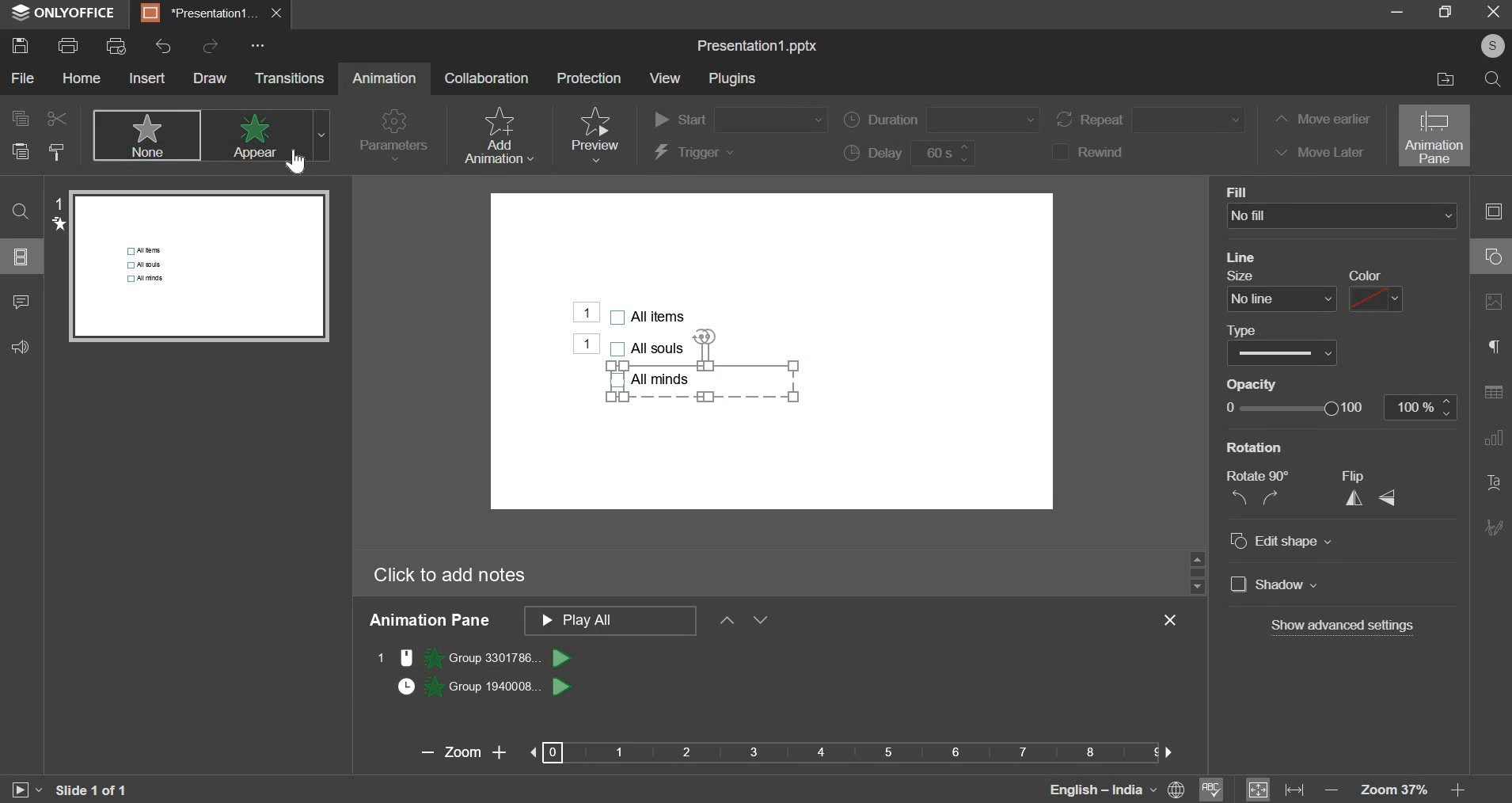 This screenshot has width=1512, height=803. What do you see at coordinates (54, 118) in the screenshot?
I see `cut` at bounding box center [54, 118].